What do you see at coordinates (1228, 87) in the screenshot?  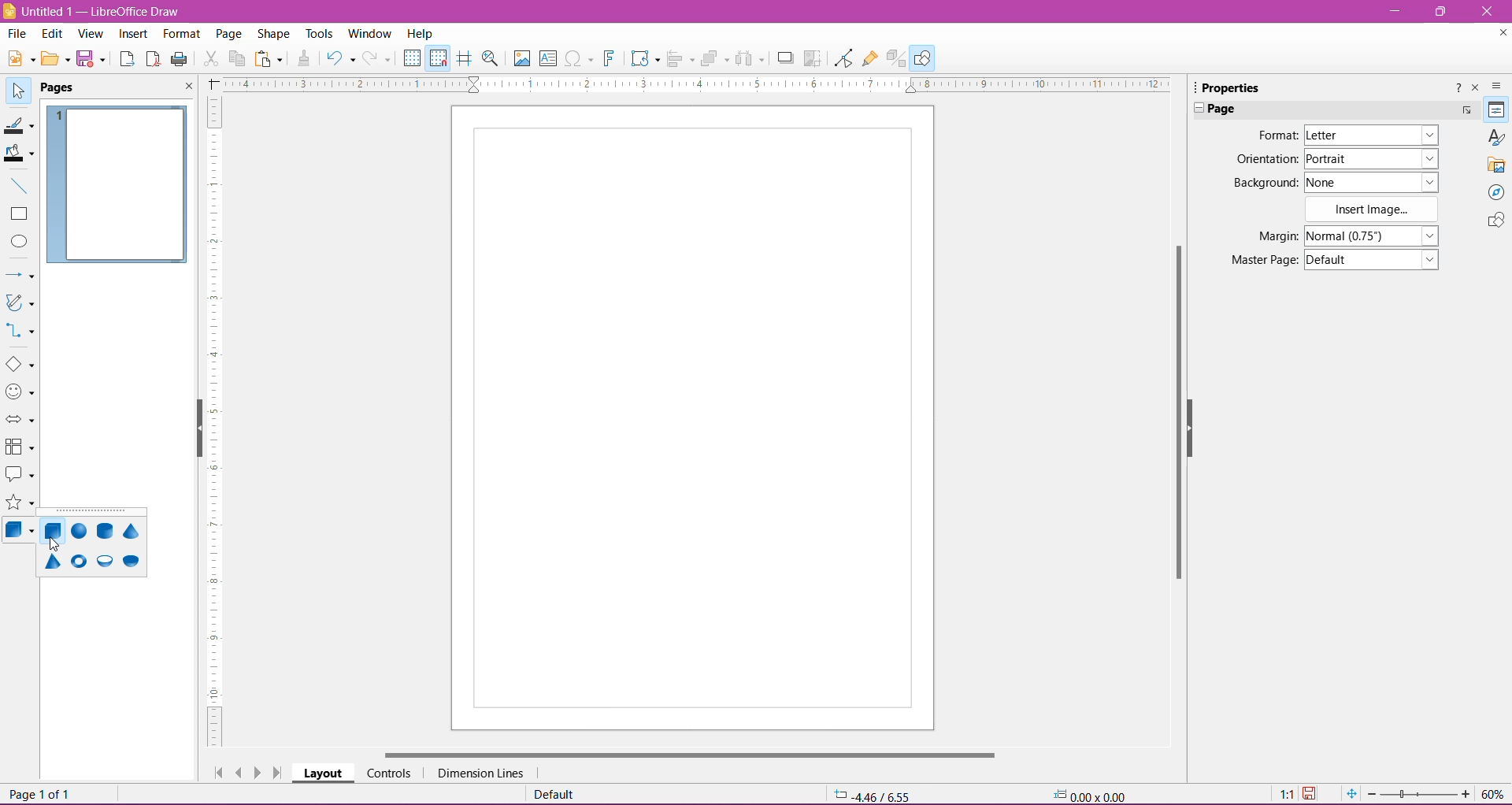 I see `Properties` at bounding box center [1228, 87].